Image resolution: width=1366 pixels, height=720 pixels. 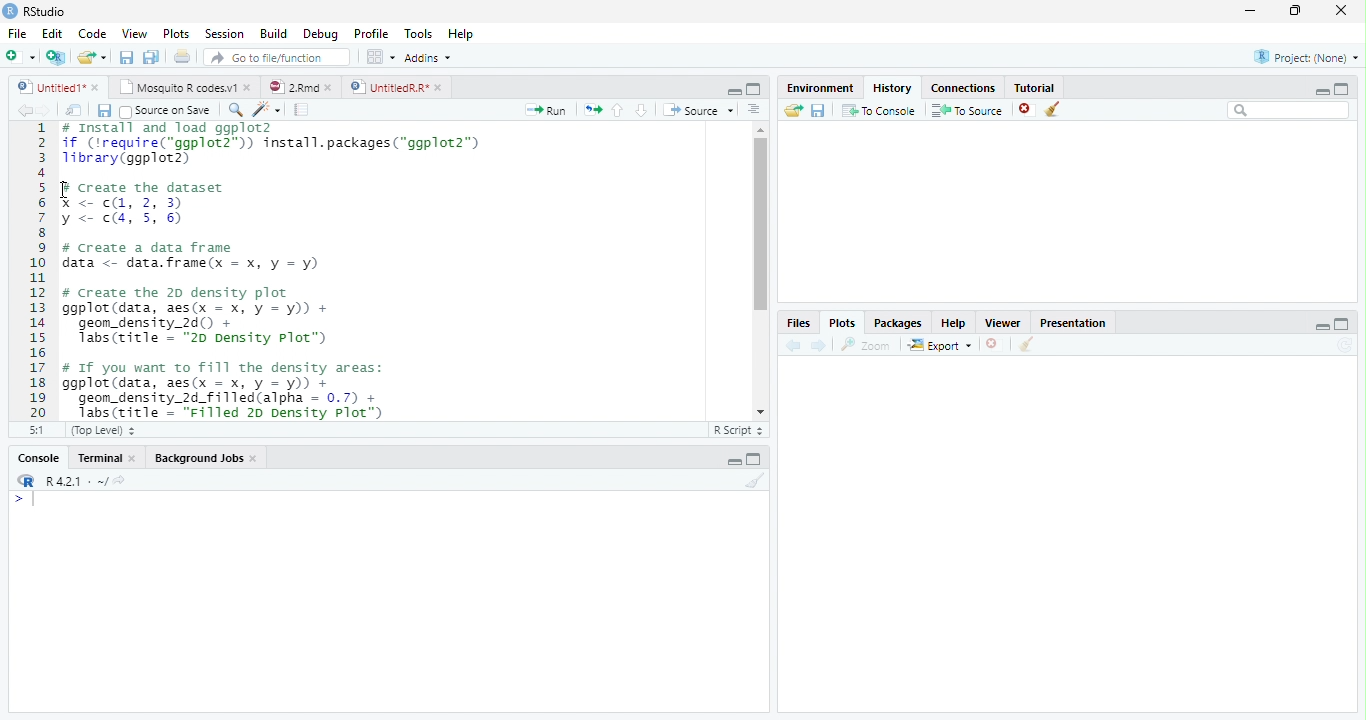 I want to click on print current file, so click(x=182, y=56).